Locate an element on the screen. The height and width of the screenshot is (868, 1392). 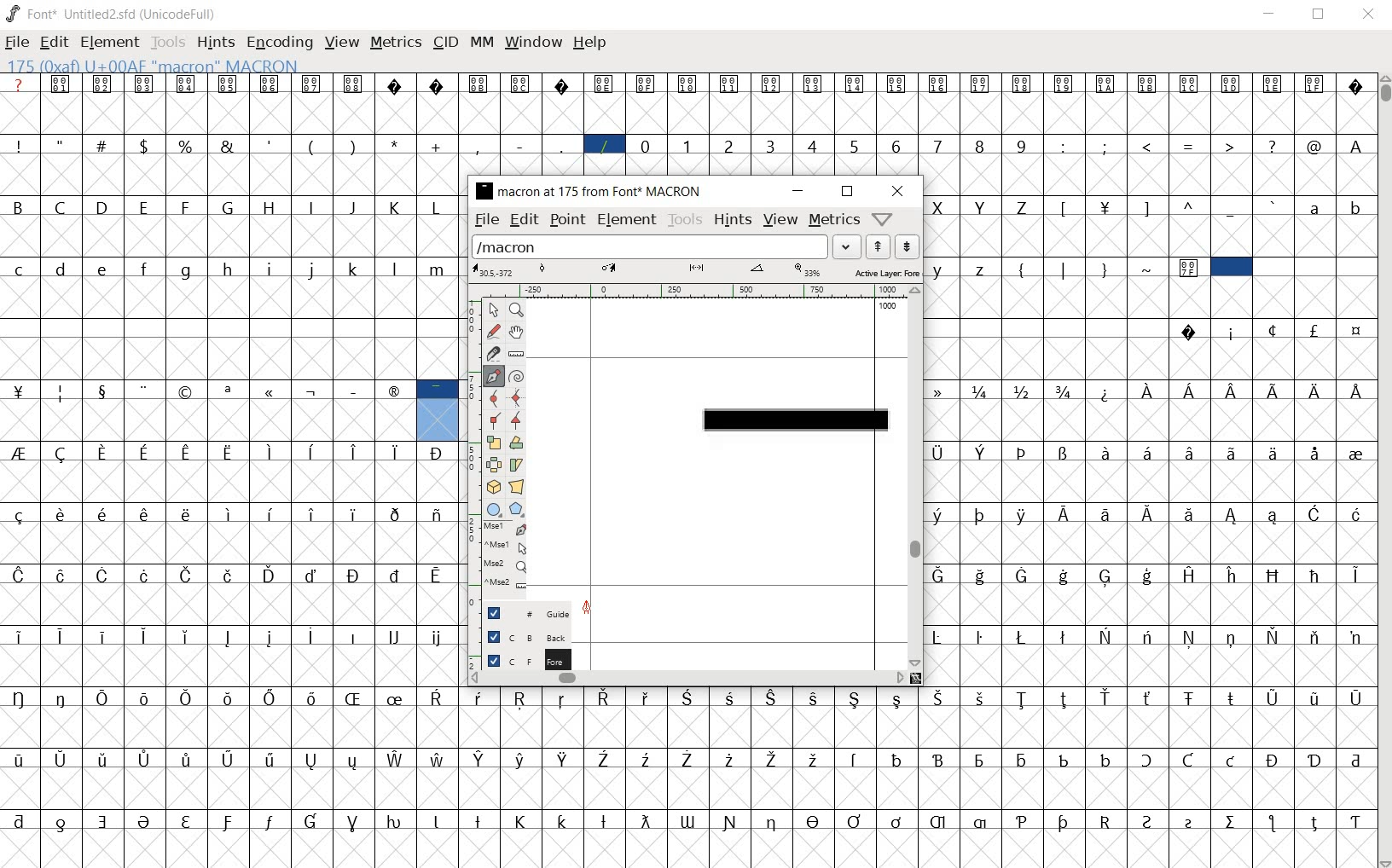
Symbol is located at coordinates (1106, 205).